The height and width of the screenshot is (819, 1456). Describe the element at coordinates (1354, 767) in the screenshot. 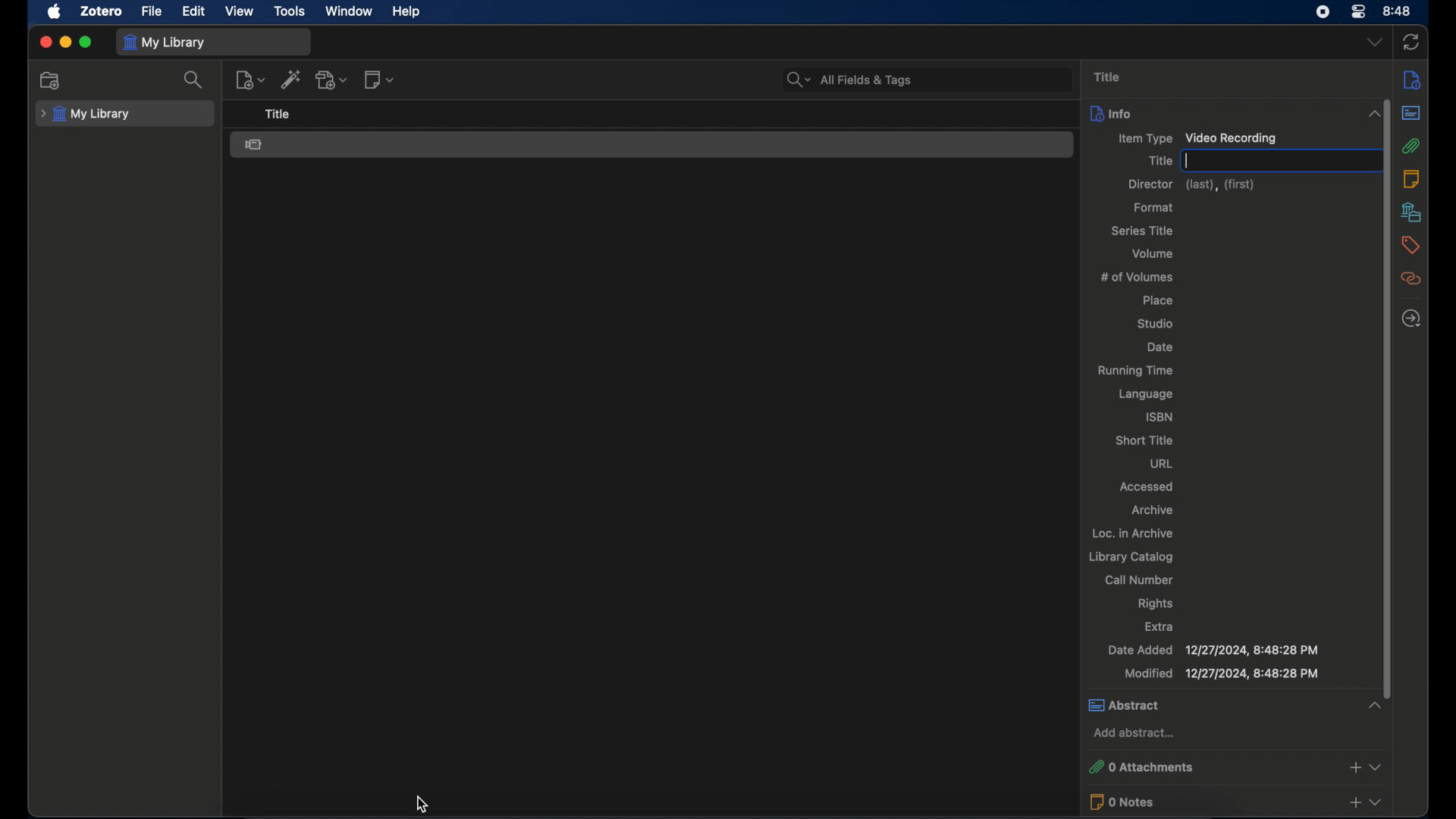

I see `add attachments` at that location.